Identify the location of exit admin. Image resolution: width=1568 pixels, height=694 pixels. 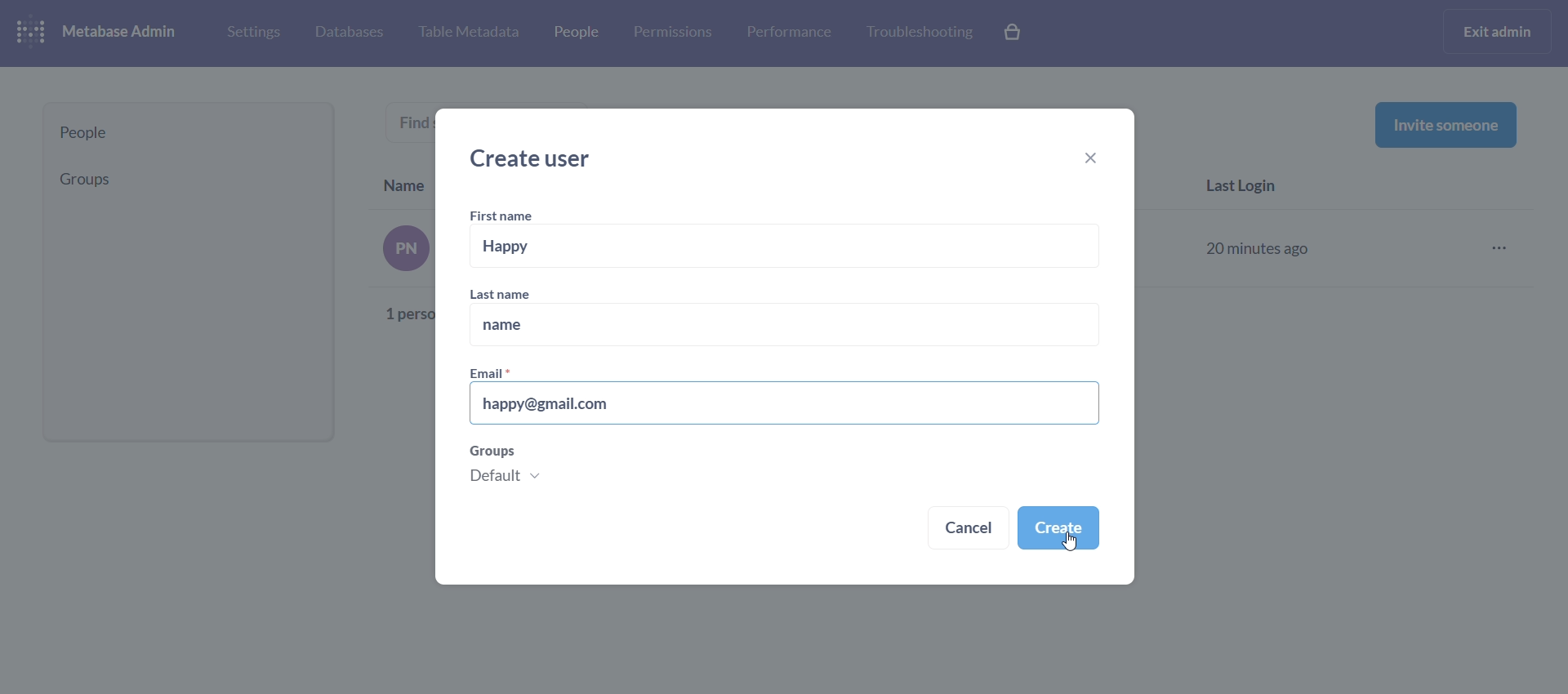
(1500, 31).